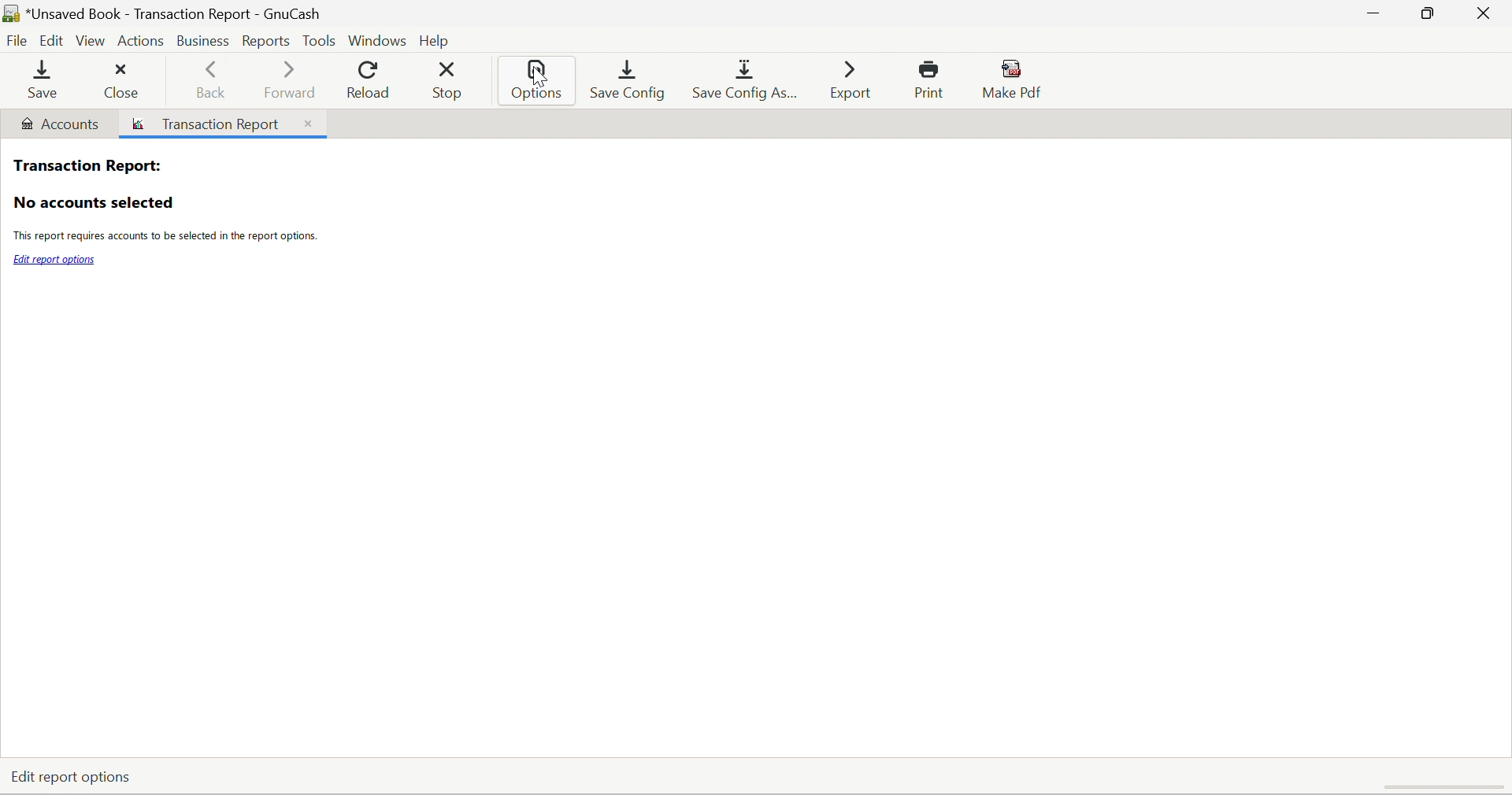 The height and width of the screenshot is (795, 1512). Describe the element at coordinates (376, 39) in the screenshot. I see `Windows` at that location.